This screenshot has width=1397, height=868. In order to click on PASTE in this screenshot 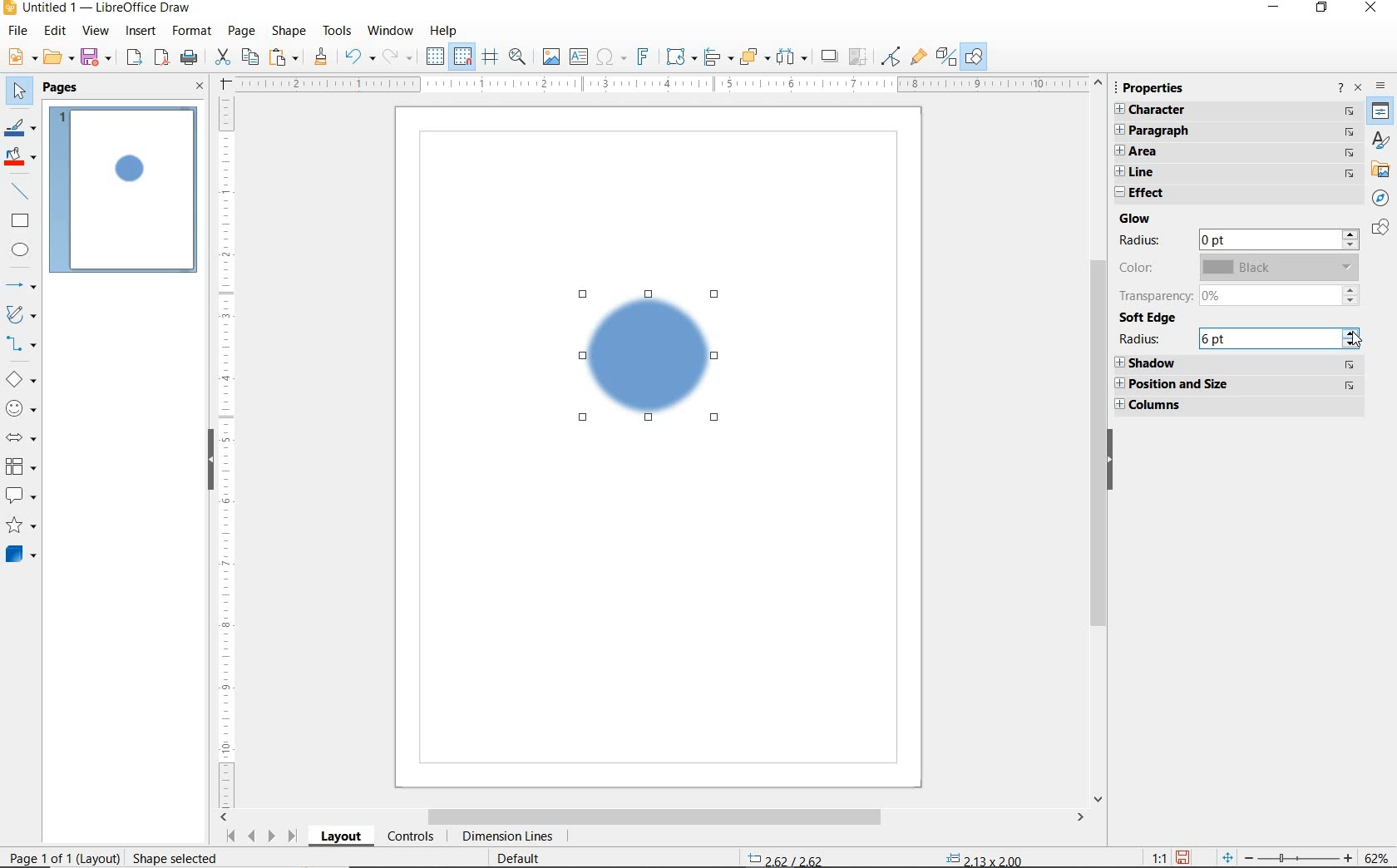, I will do `click(287, 57)`.